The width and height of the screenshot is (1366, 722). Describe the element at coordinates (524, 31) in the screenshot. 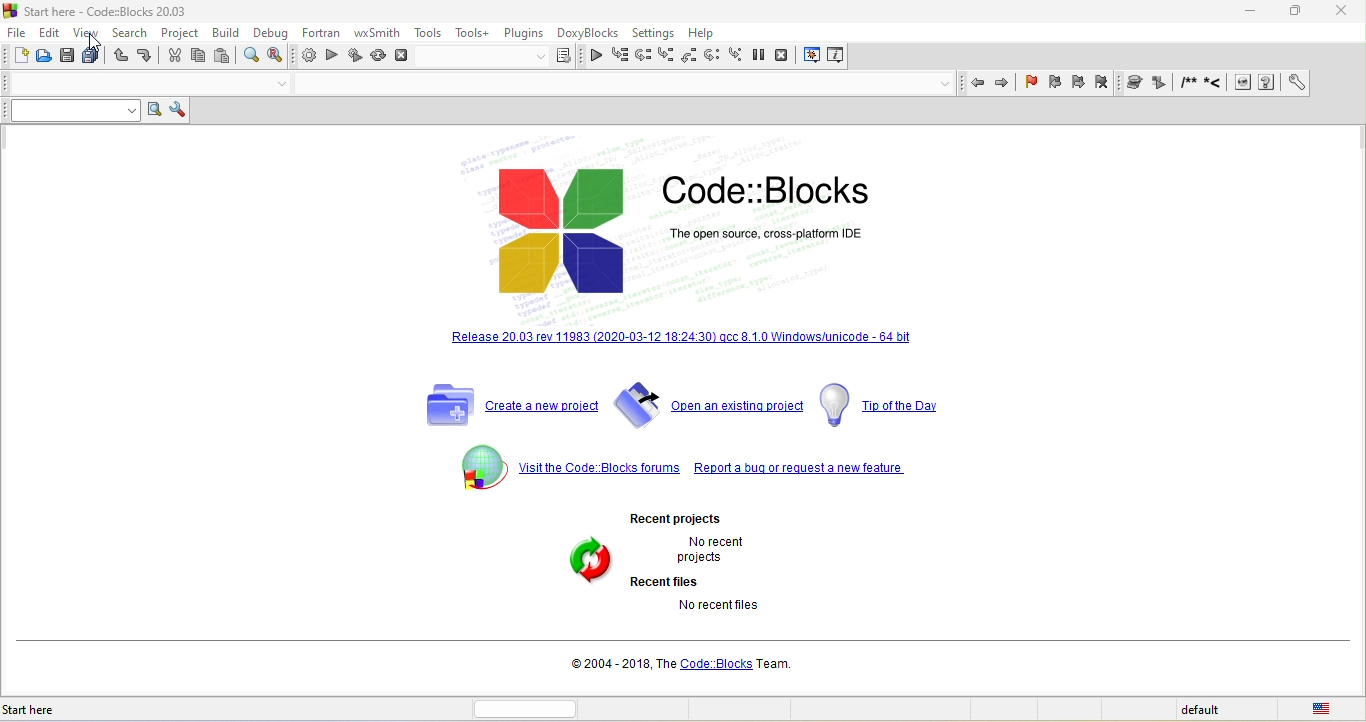

I see `plugins` at that location.